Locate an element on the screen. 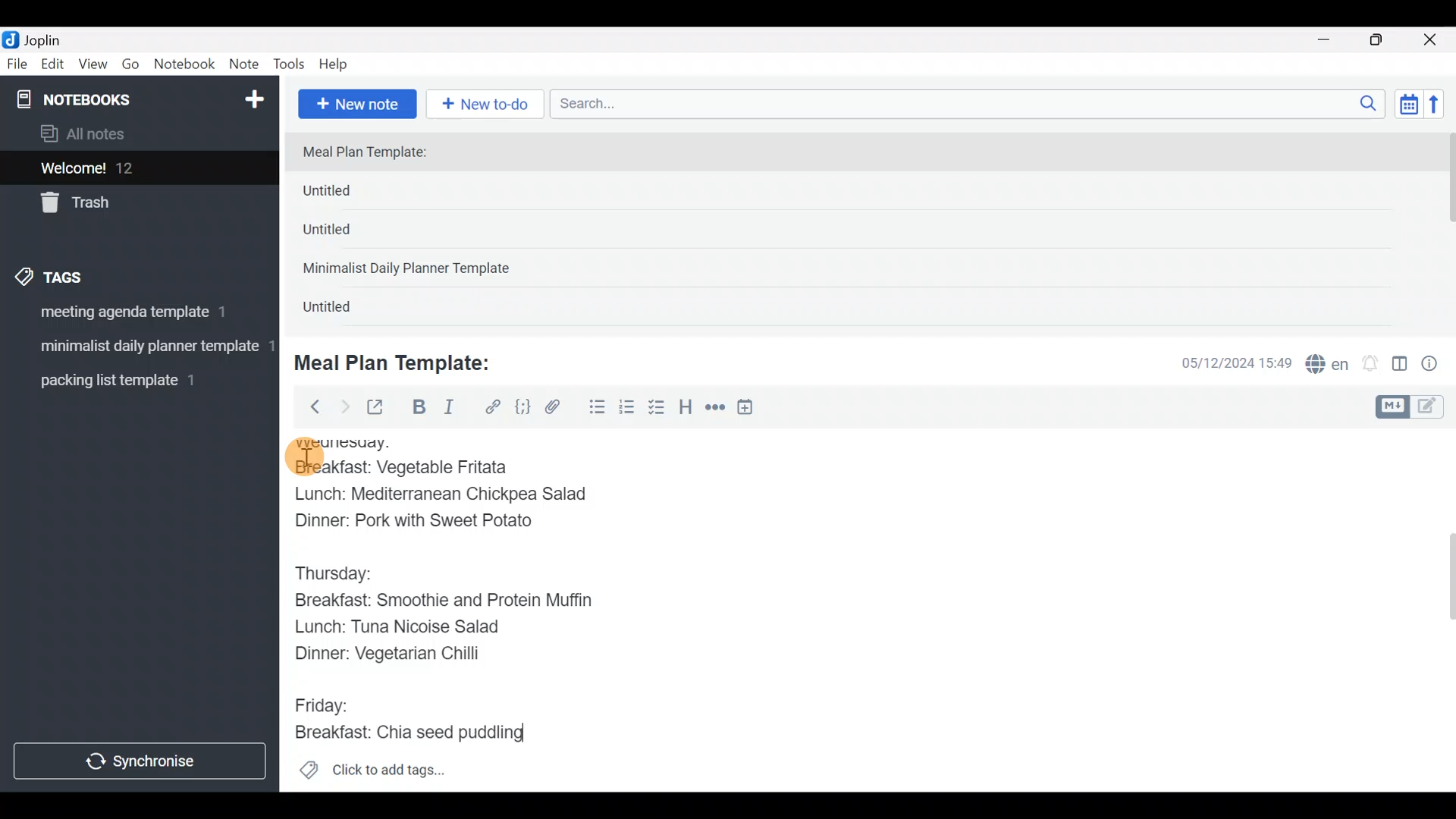  scroll bar is located at coordinates (1446, 229).